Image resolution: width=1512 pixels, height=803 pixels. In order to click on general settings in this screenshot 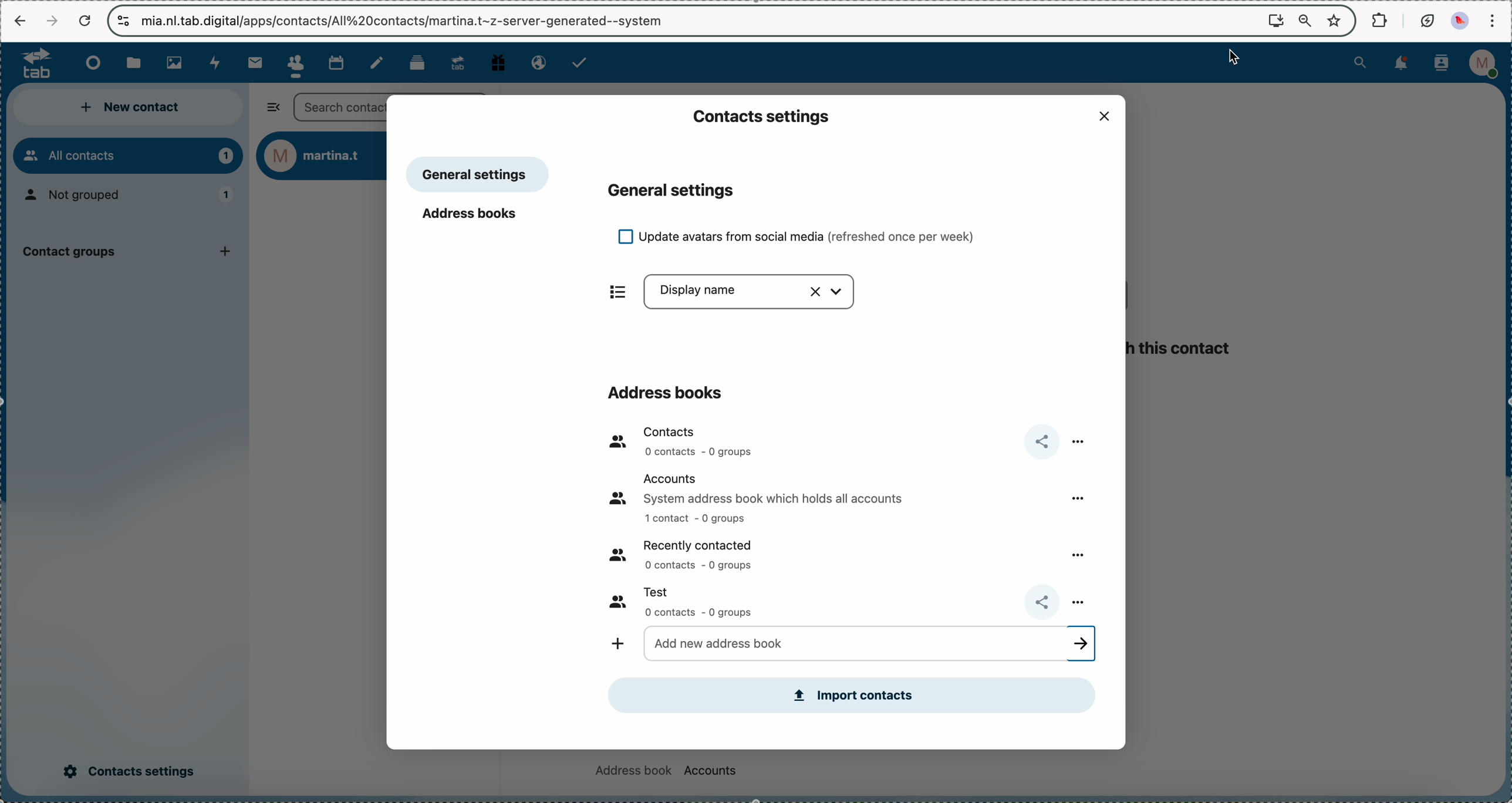, I will do `click(677, 192)`.